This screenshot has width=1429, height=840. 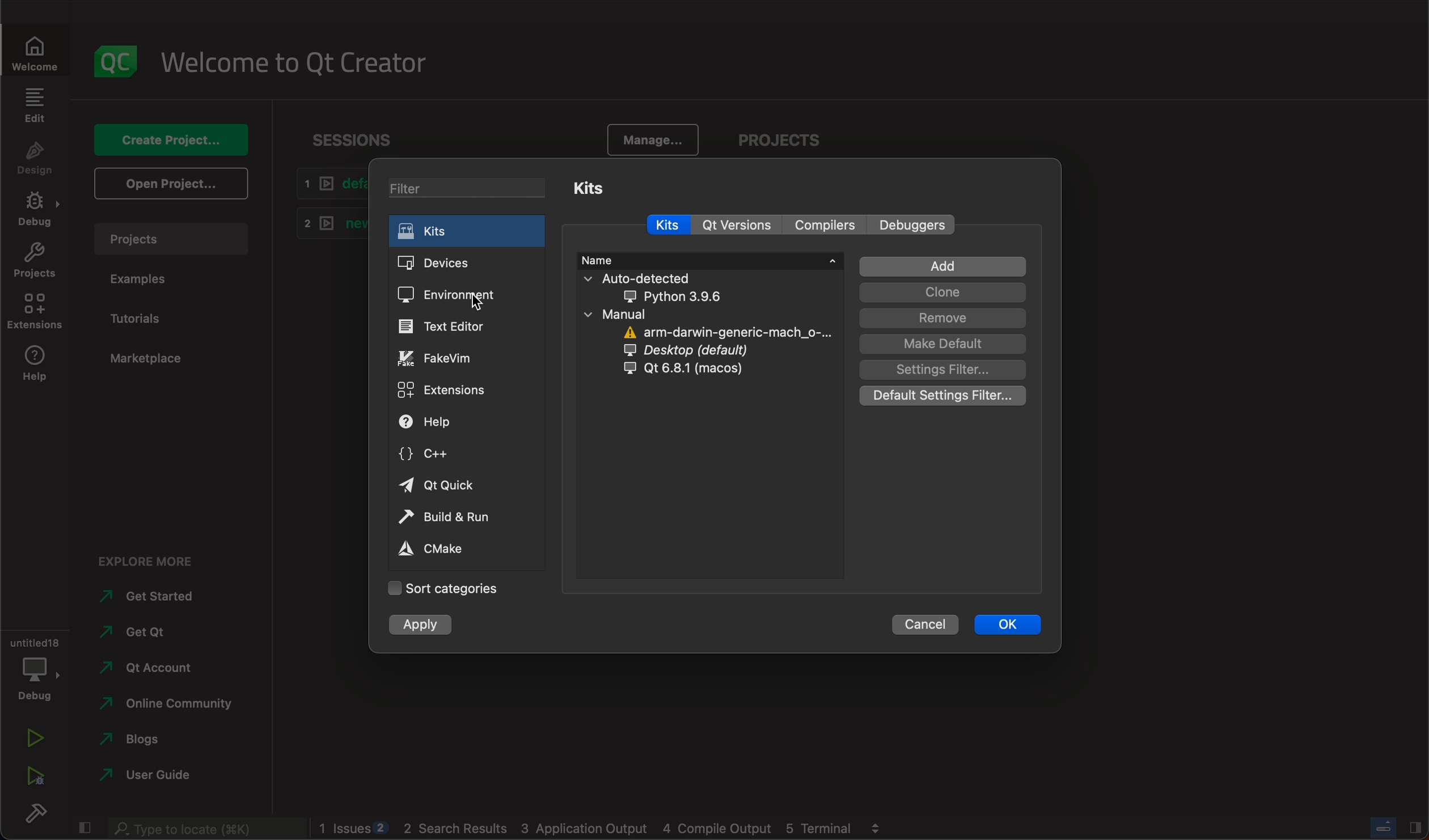 What do you see at coordinates (462, 264) in the screenshot?
I see `devices` at bounding box center [462, 264].